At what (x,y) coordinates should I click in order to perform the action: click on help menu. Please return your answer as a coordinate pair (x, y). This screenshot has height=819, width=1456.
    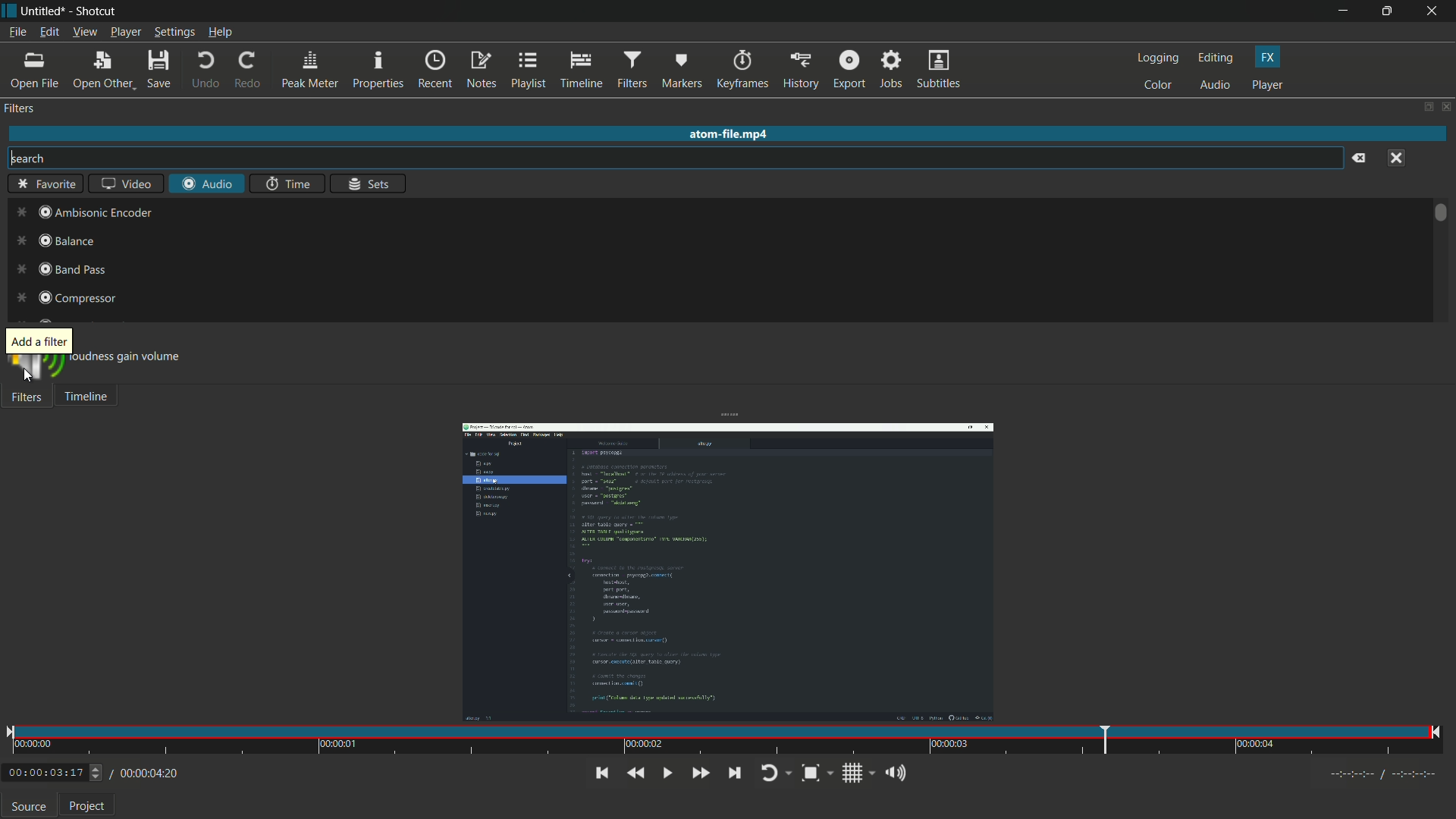
    Looking at the image, I should click on (219, 32).